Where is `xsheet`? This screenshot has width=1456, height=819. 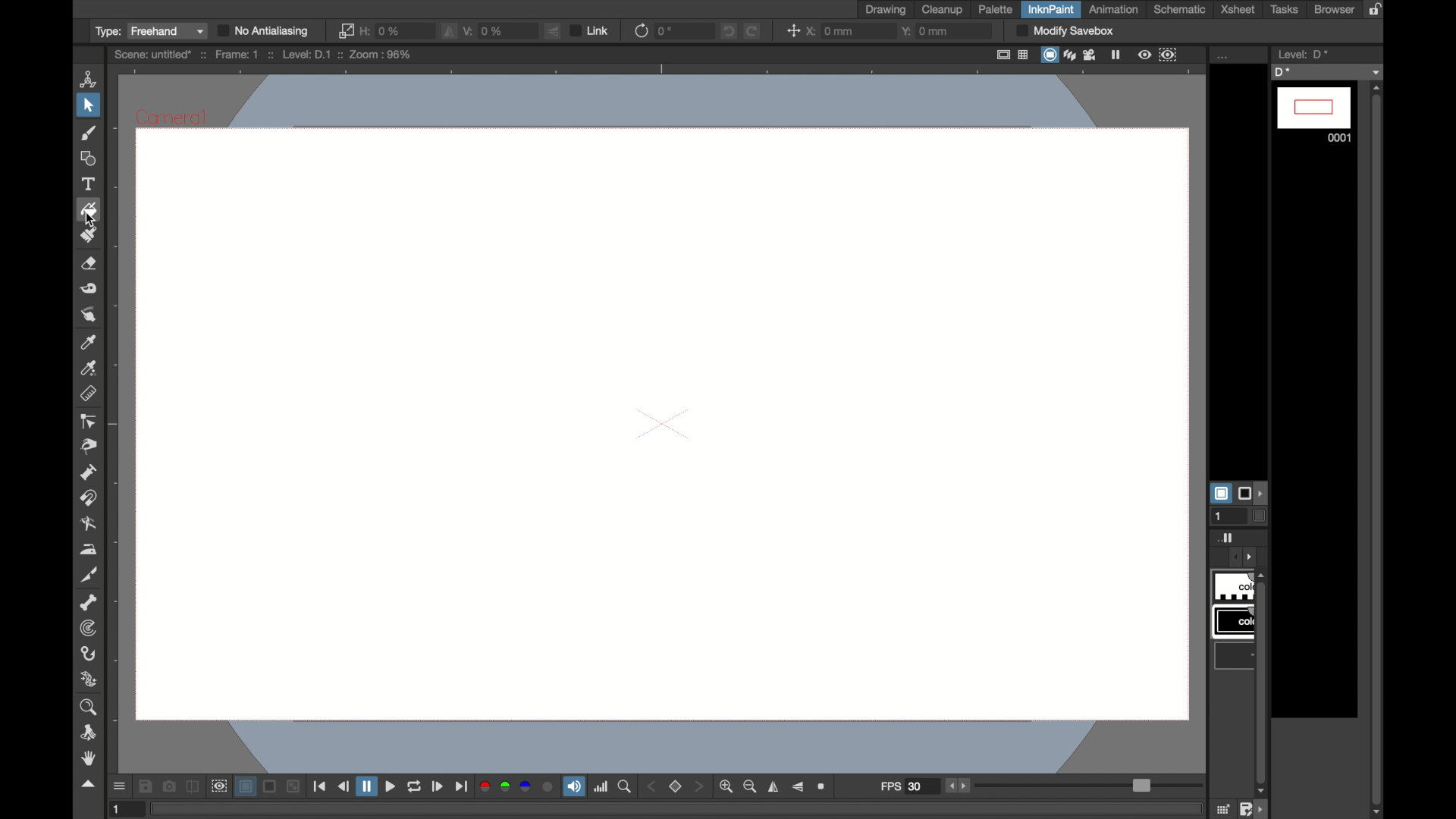
xsheet is located at coordinates (1238, 9).